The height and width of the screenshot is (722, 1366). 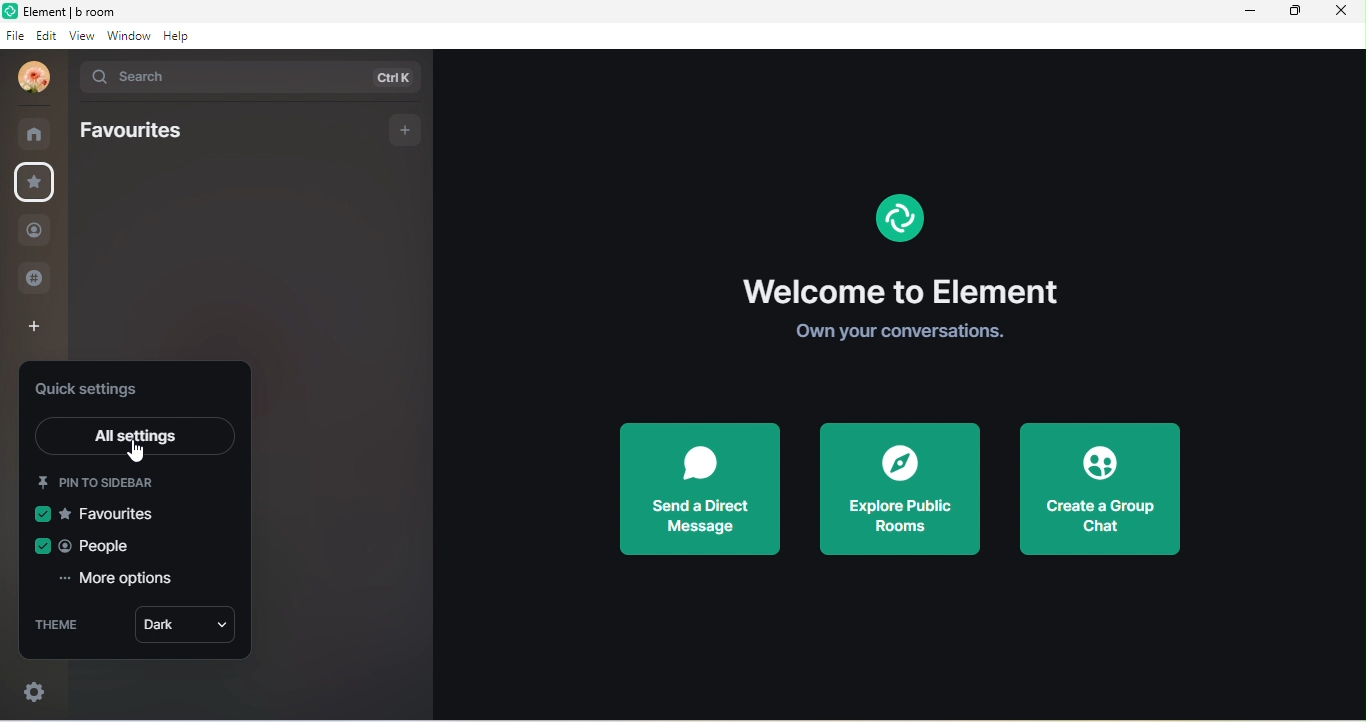 I want to click on pin to sidebar, so click(x=119, y=478).